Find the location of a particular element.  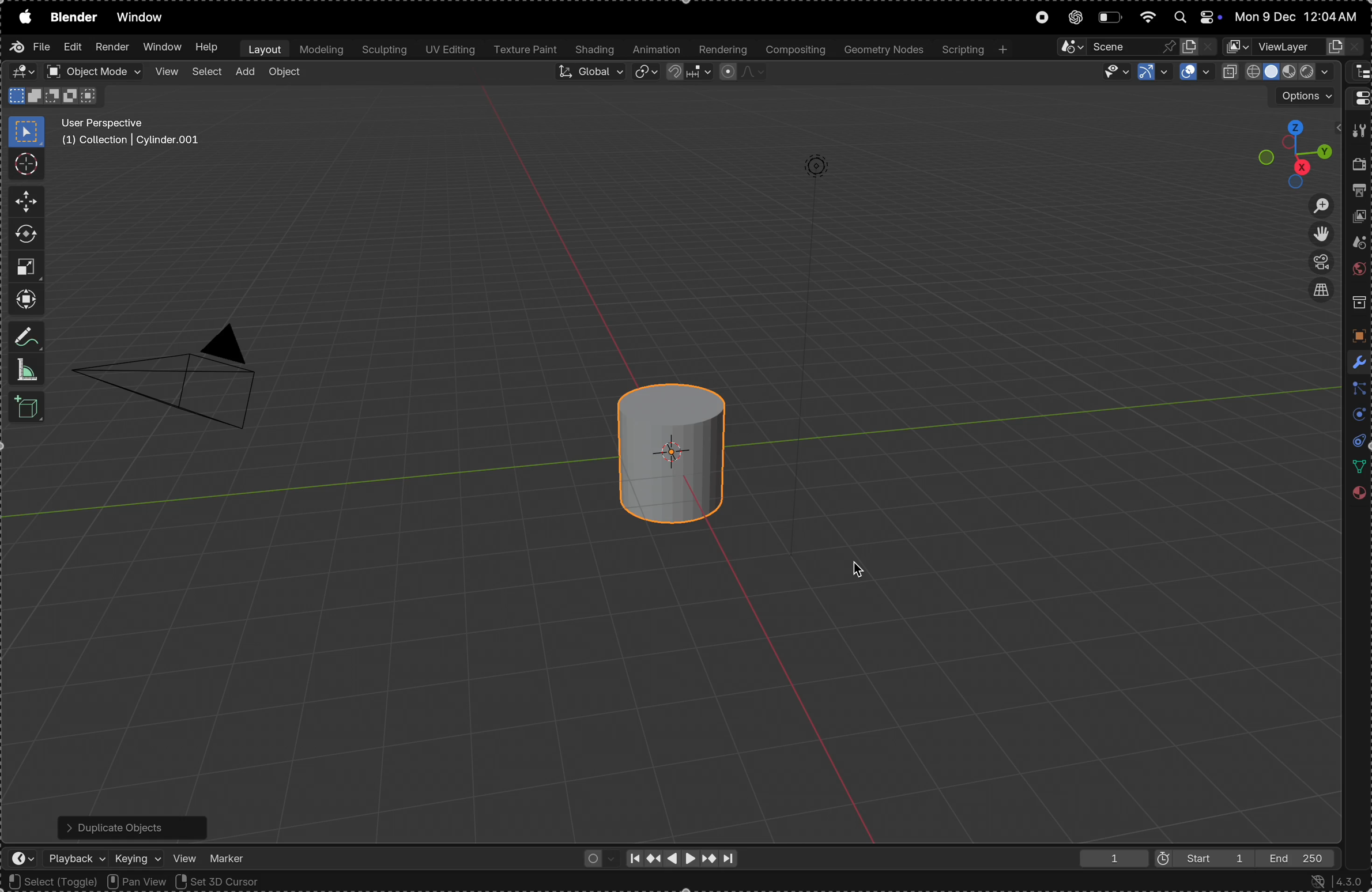

visibility is located at coordinates (1111, 72).